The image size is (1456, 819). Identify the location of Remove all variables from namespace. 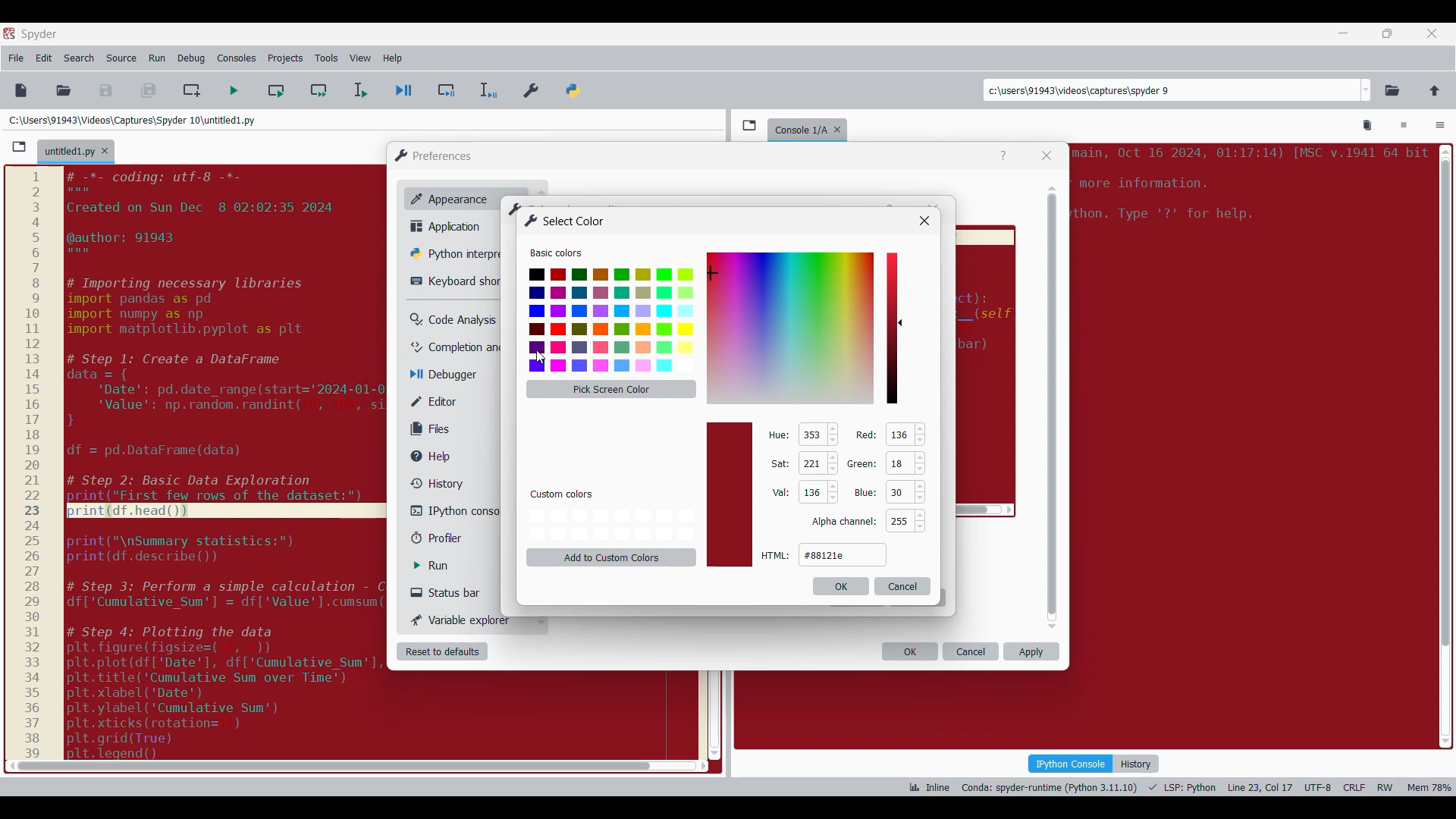
(1368, 126).